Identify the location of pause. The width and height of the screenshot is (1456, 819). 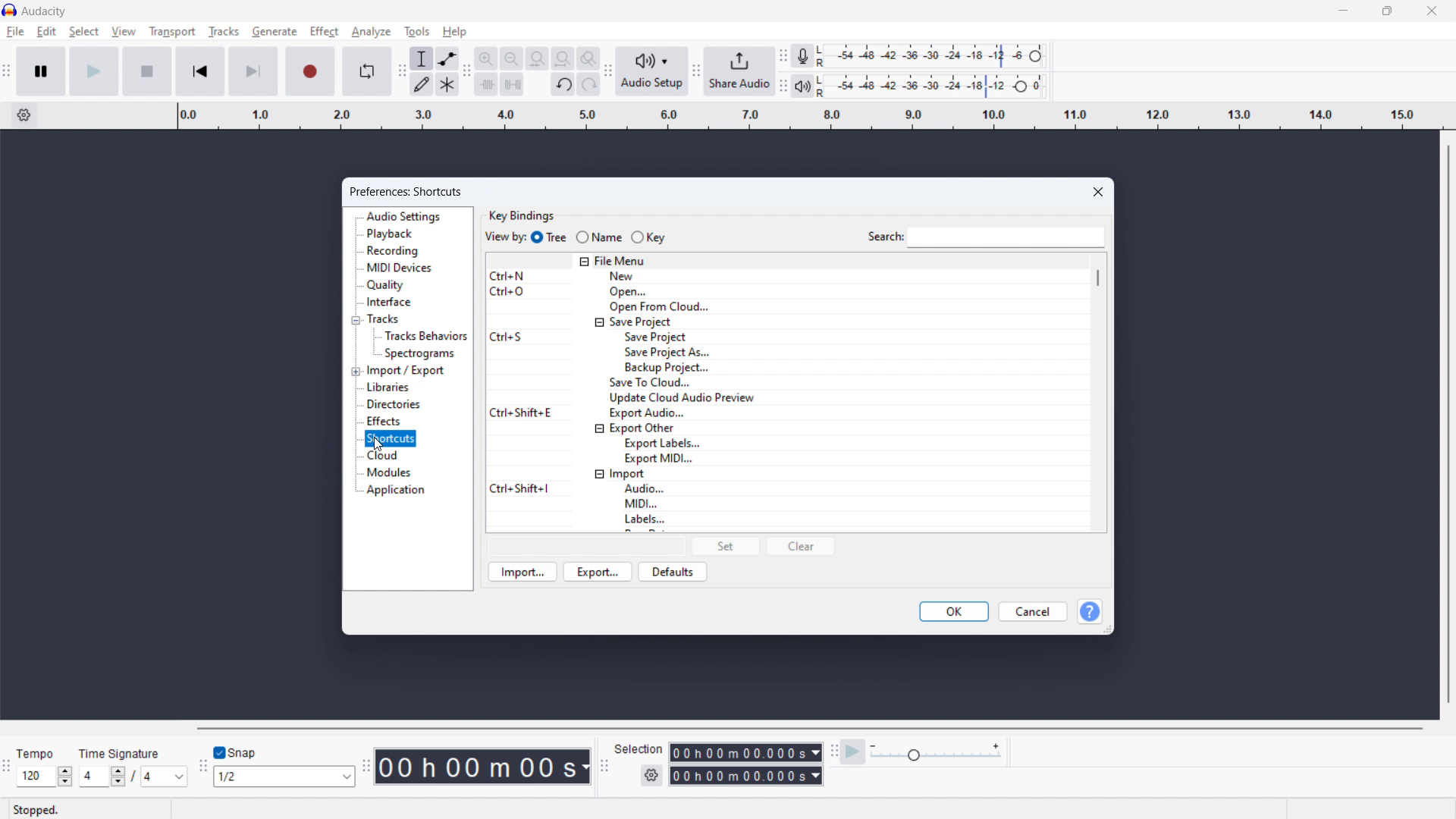
(42, 71).